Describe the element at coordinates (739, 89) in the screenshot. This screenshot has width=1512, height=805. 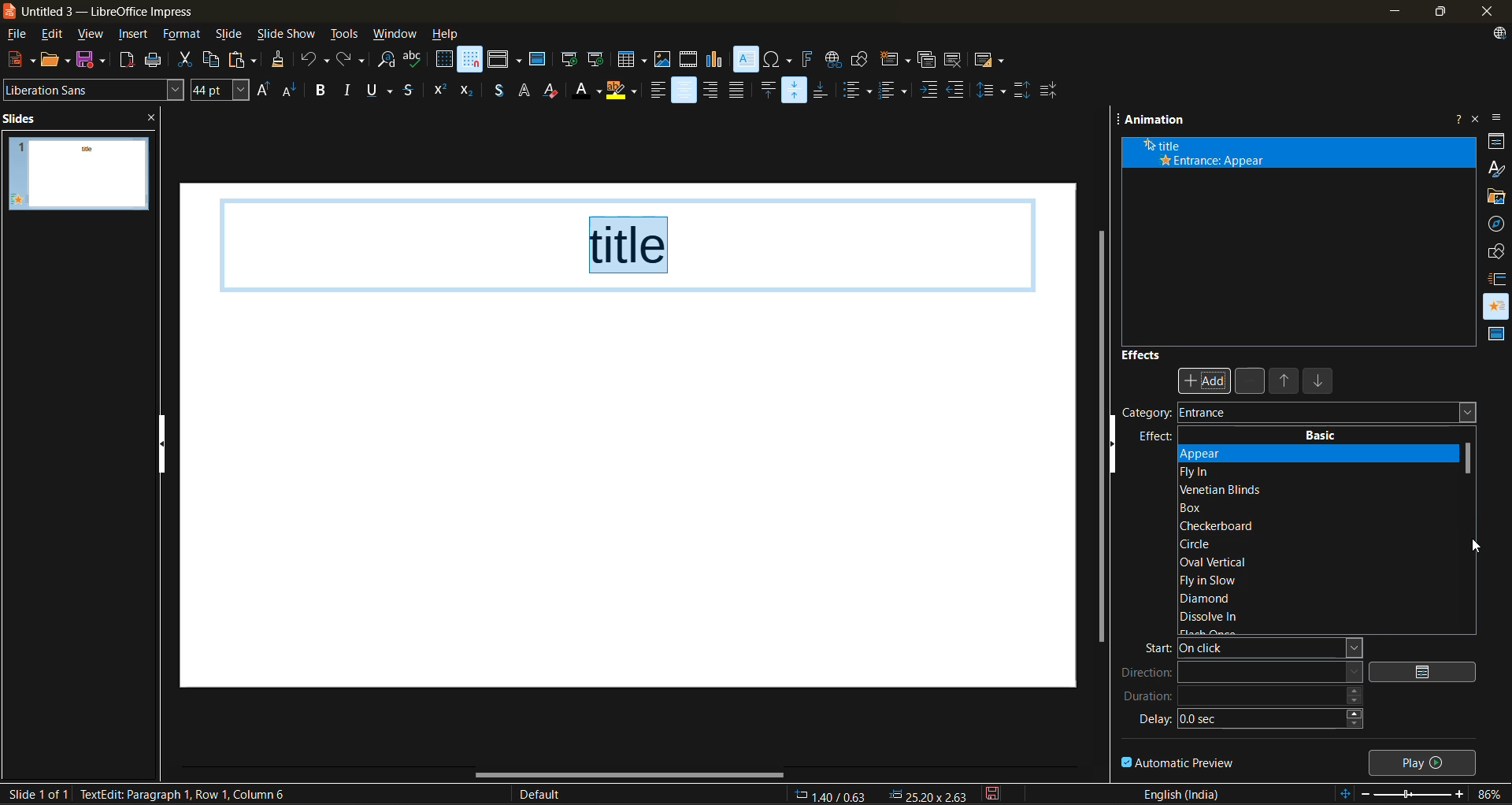
I see `justified` at that location.